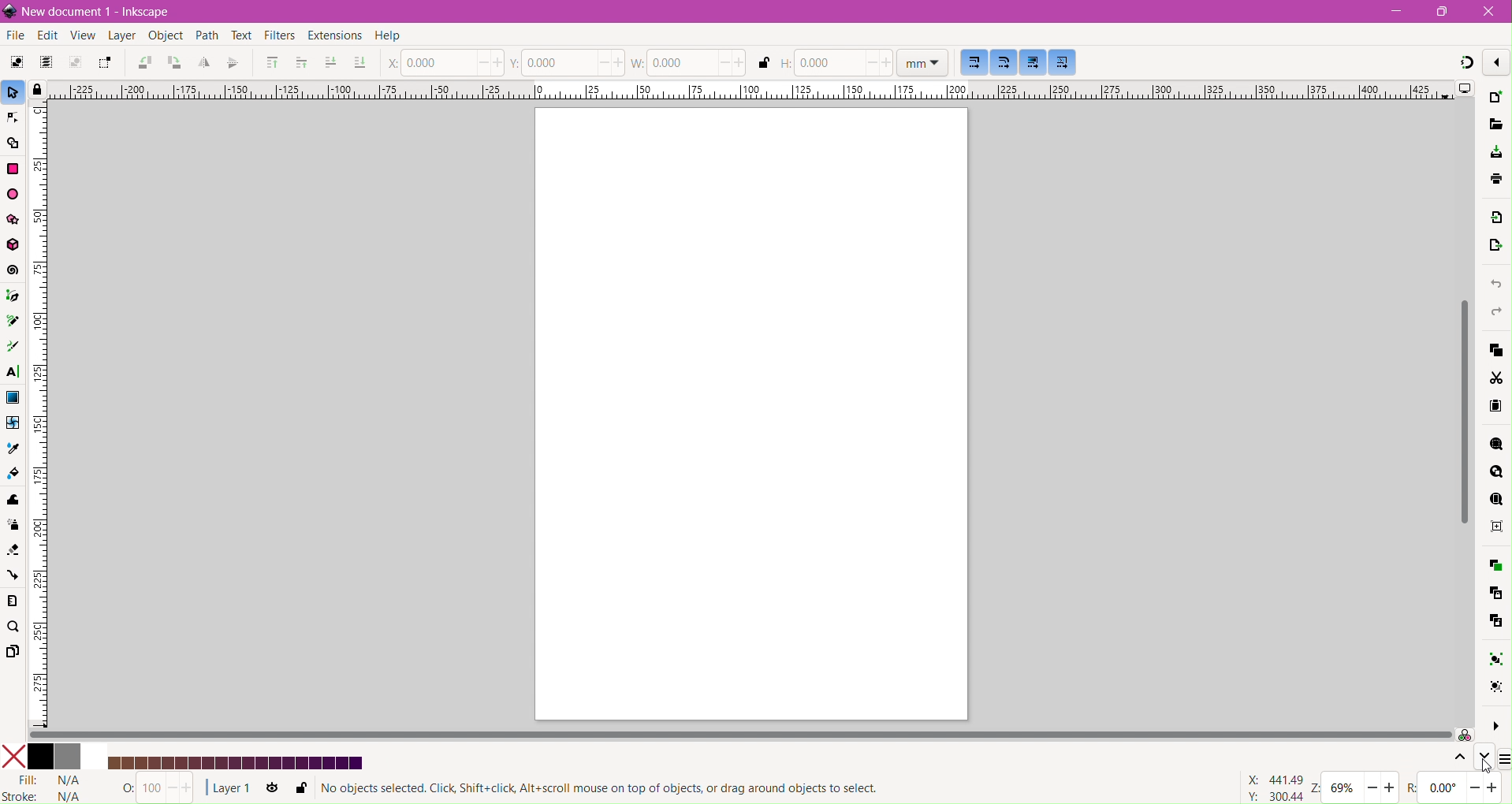 The height and width of the screenshot is (804, 1512). I want to click on Vertical Ruler, so click(38, 415).